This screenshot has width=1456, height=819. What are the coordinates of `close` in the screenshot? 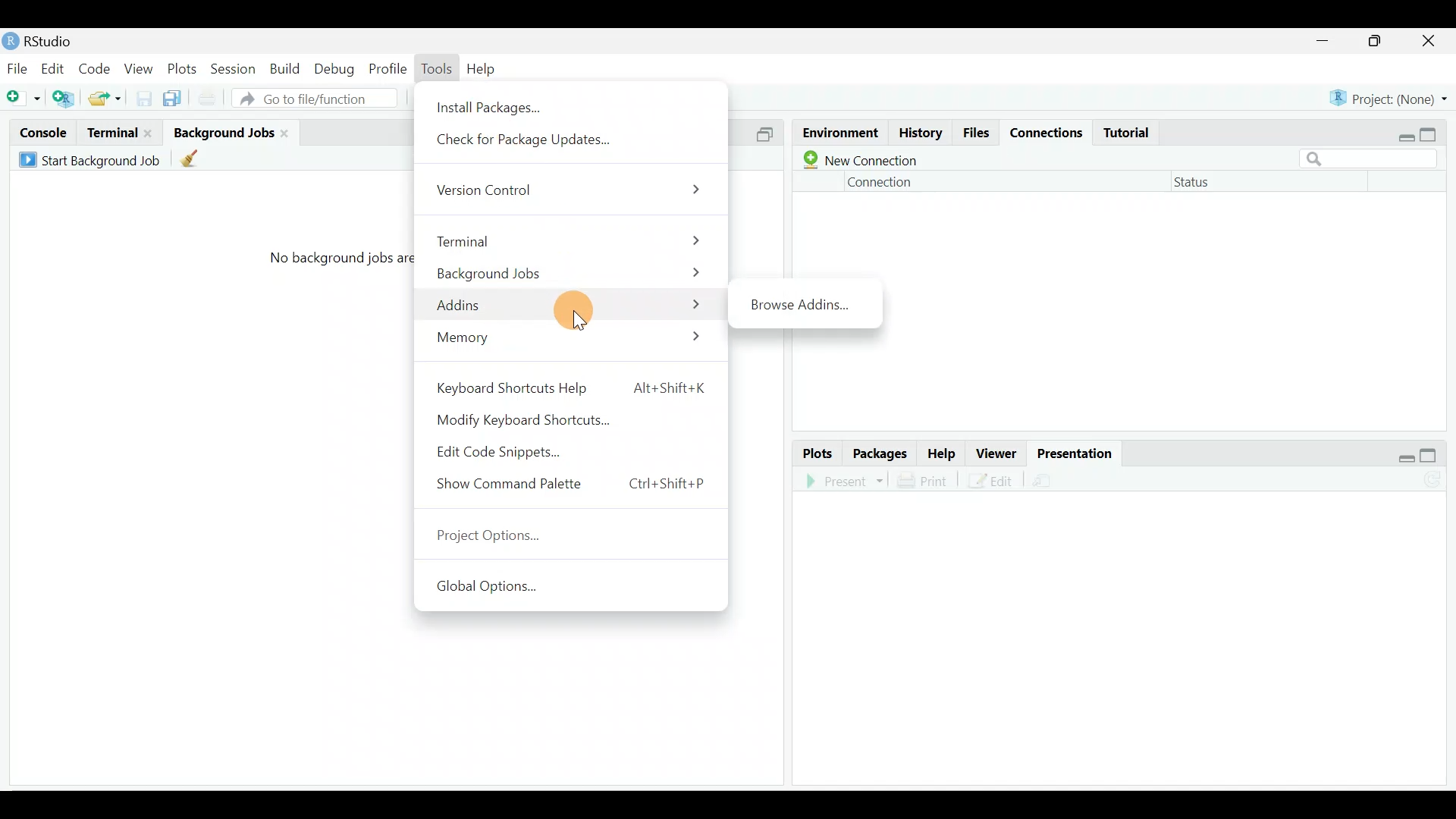 It's located at (1429, 41).